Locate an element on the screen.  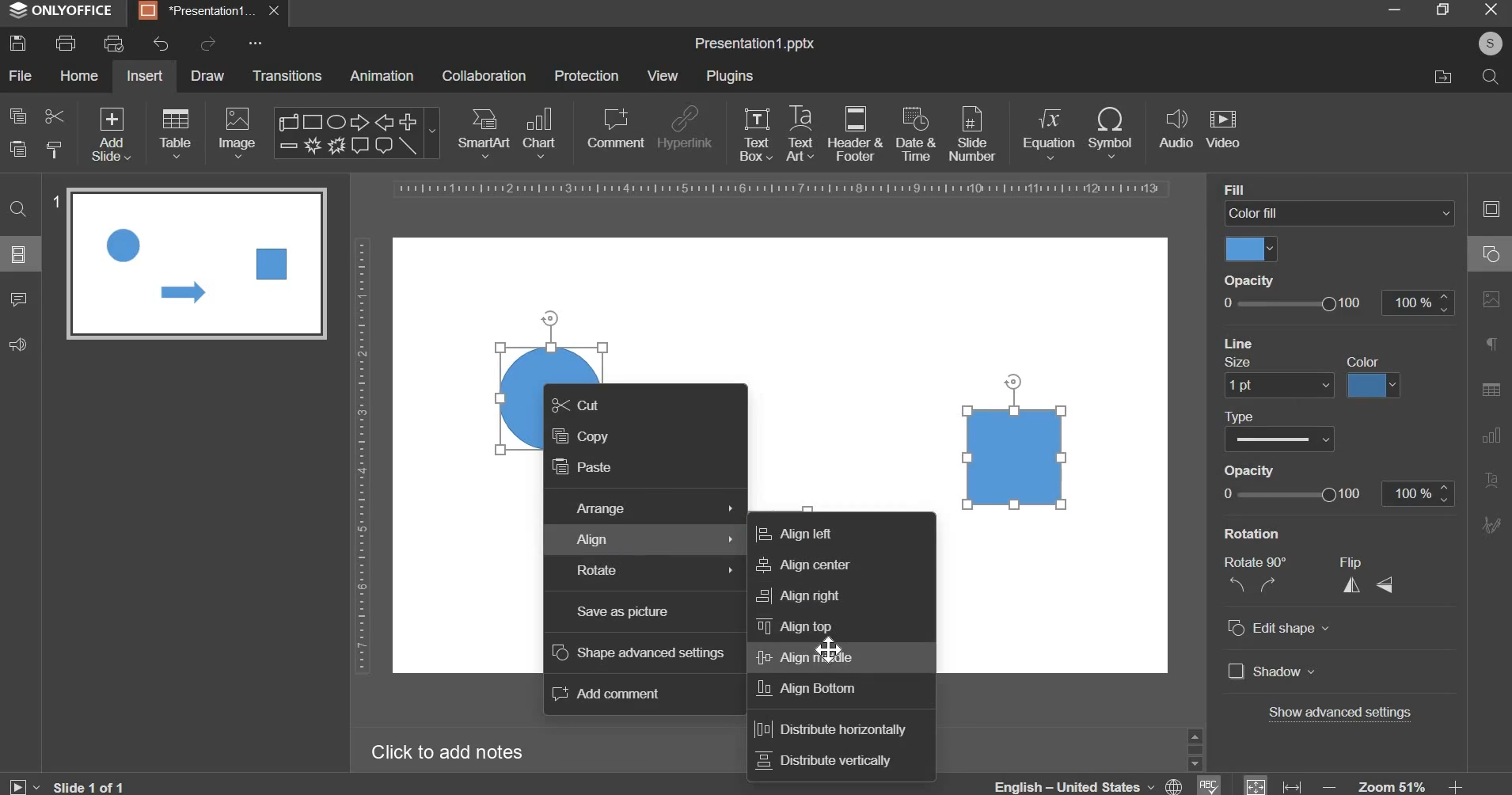
image setting is located at coordinates (1489, 296).